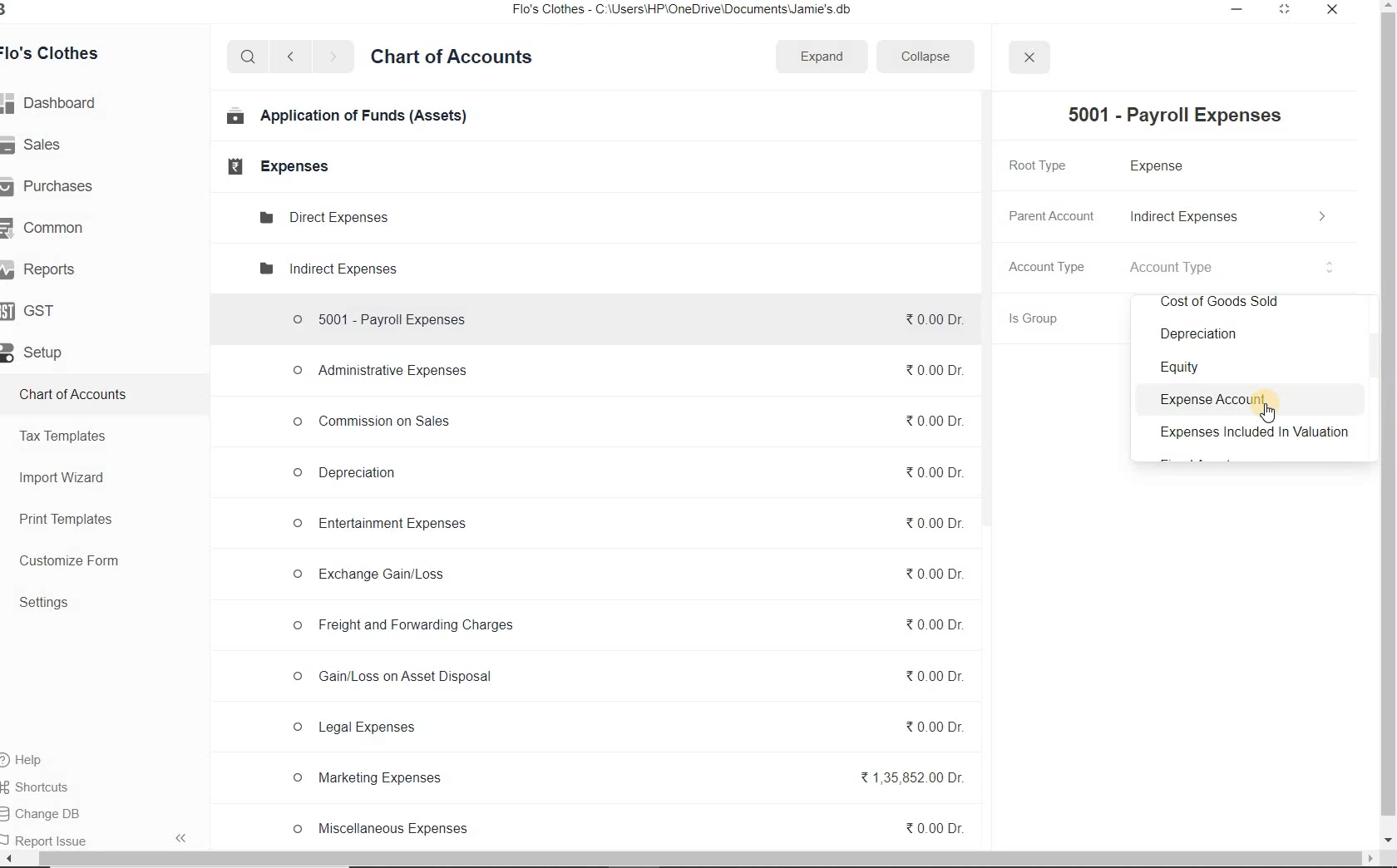 This screenshot has width=1397, height=868. I want to click on Chart of Accounts, so click(457, 59).